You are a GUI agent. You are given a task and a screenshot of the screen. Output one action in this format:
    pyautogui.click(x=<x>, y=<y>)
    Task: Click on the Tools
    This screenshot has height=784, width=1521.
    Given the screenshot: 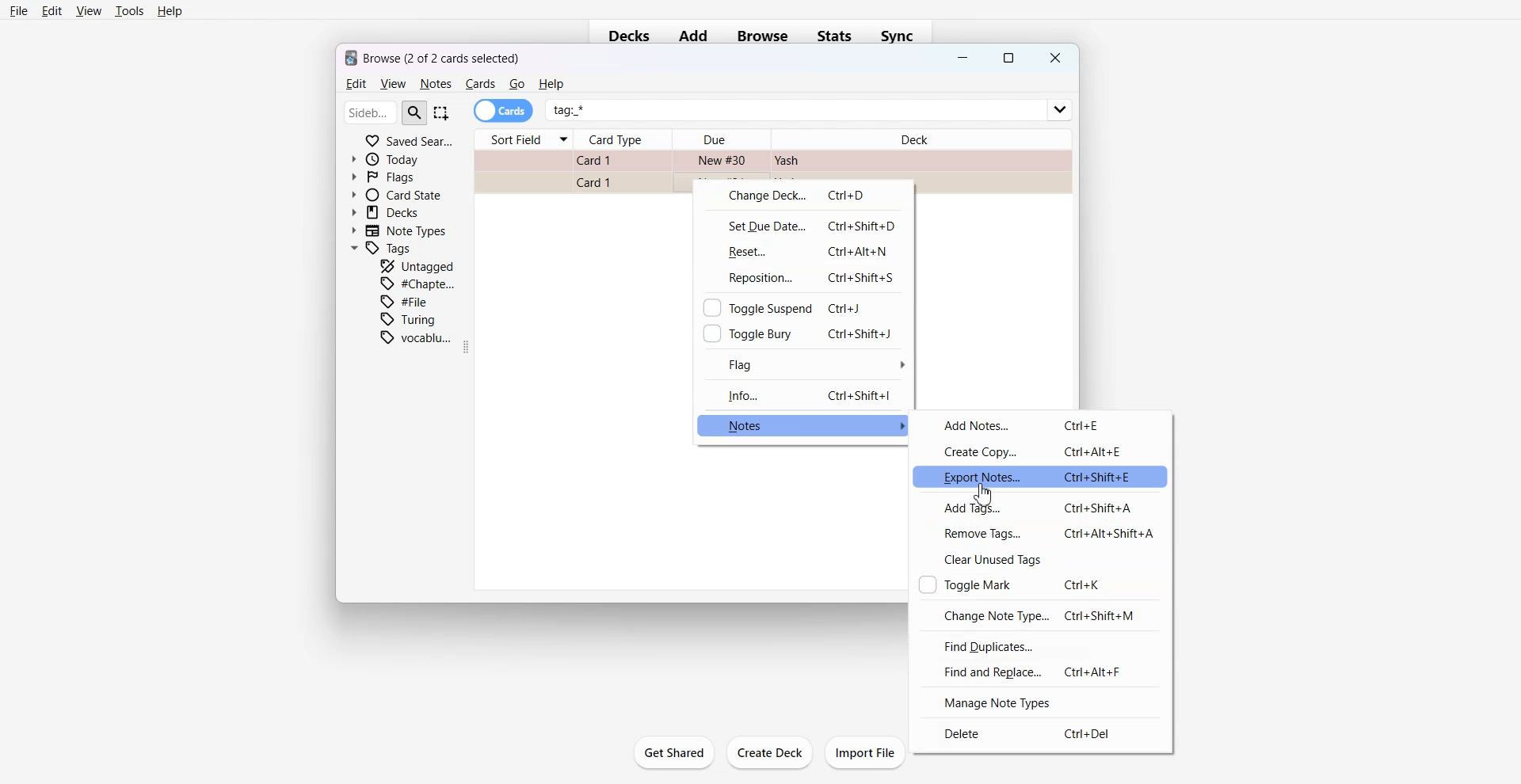 What is the action you would take?
    pyautogui.click(x=129, y=11)
    